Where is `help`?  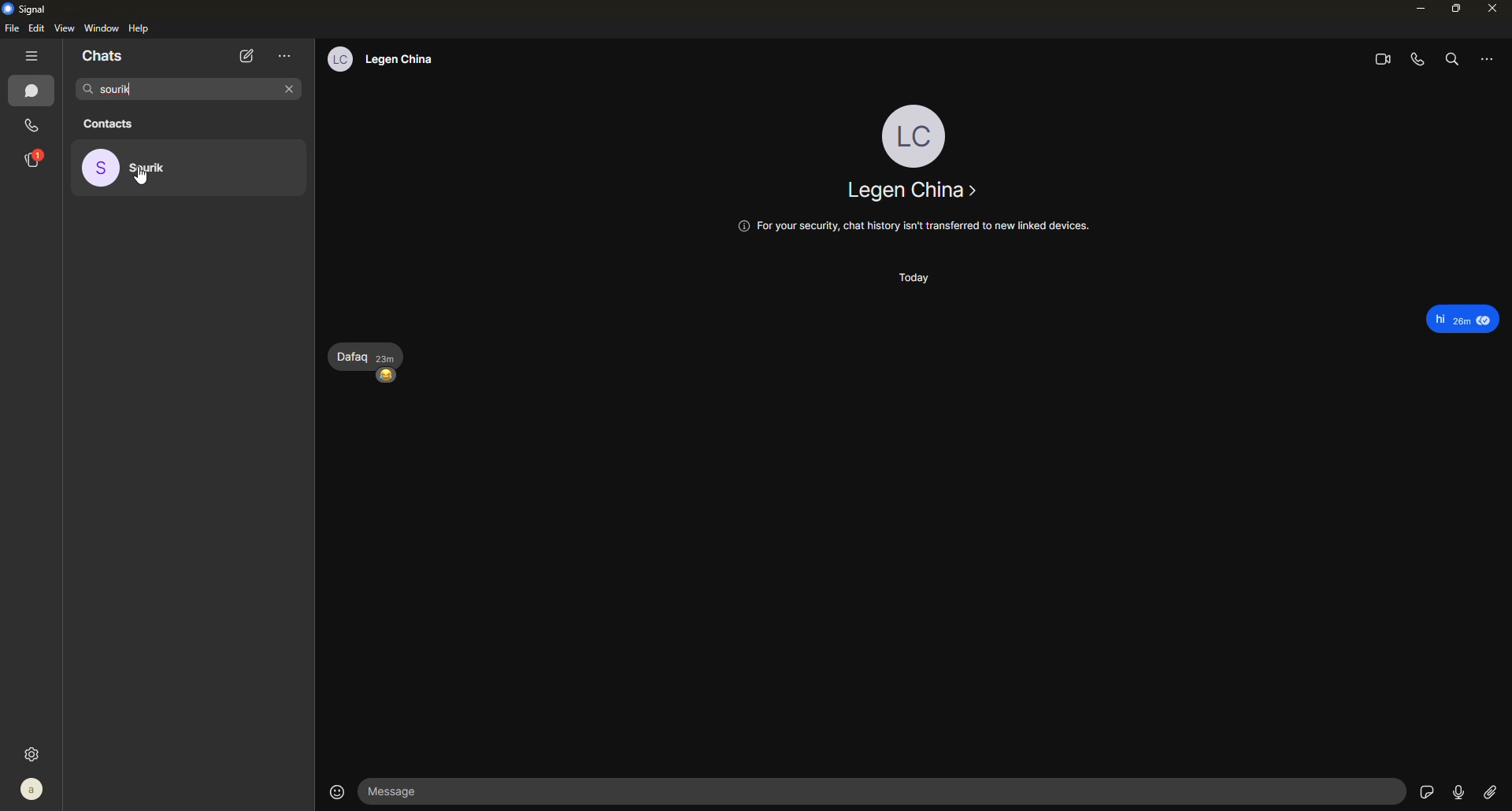 help is located at coordinates (139, 29).